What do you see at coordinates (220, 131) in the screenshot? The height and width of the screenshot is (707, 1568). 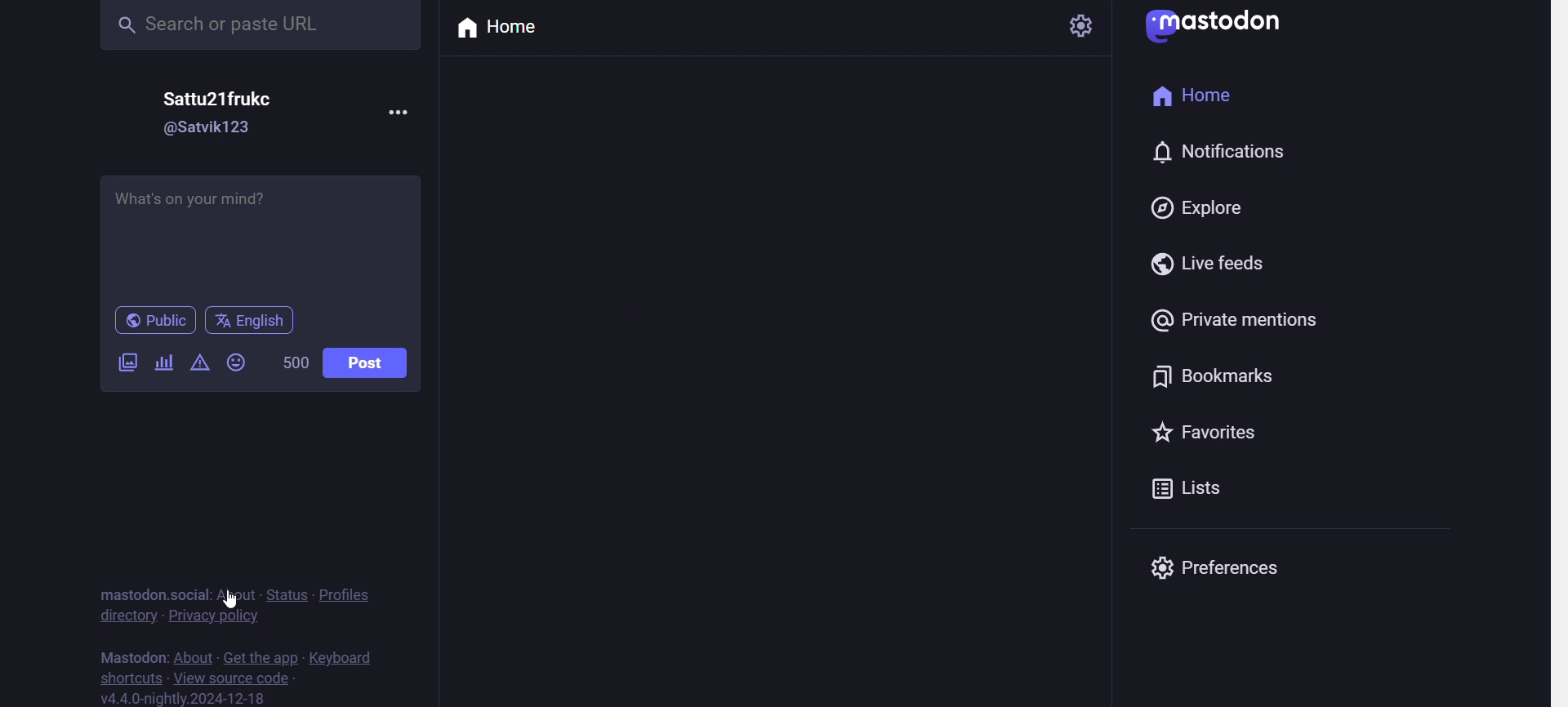 I see `@satvik123` at bounding box center [220, 131].